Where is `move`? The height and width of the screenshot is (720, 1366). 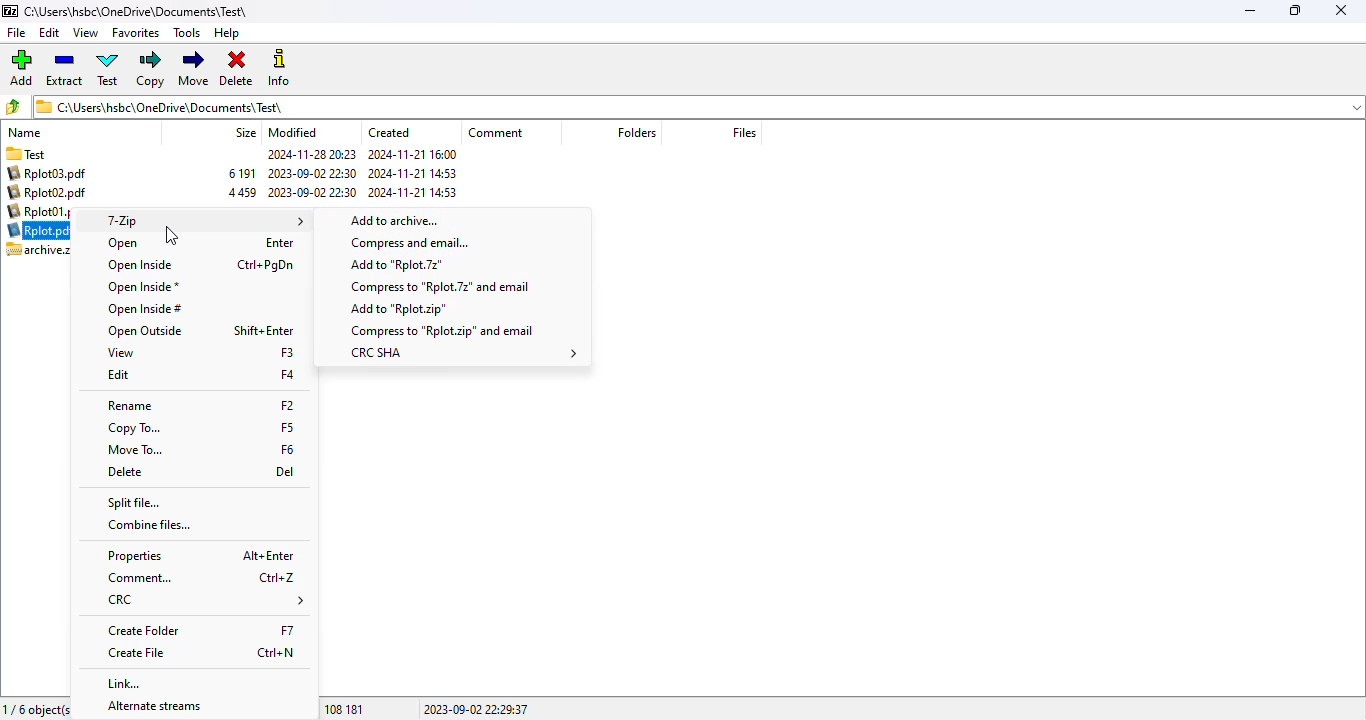 move is located at coordinates (195, 68).